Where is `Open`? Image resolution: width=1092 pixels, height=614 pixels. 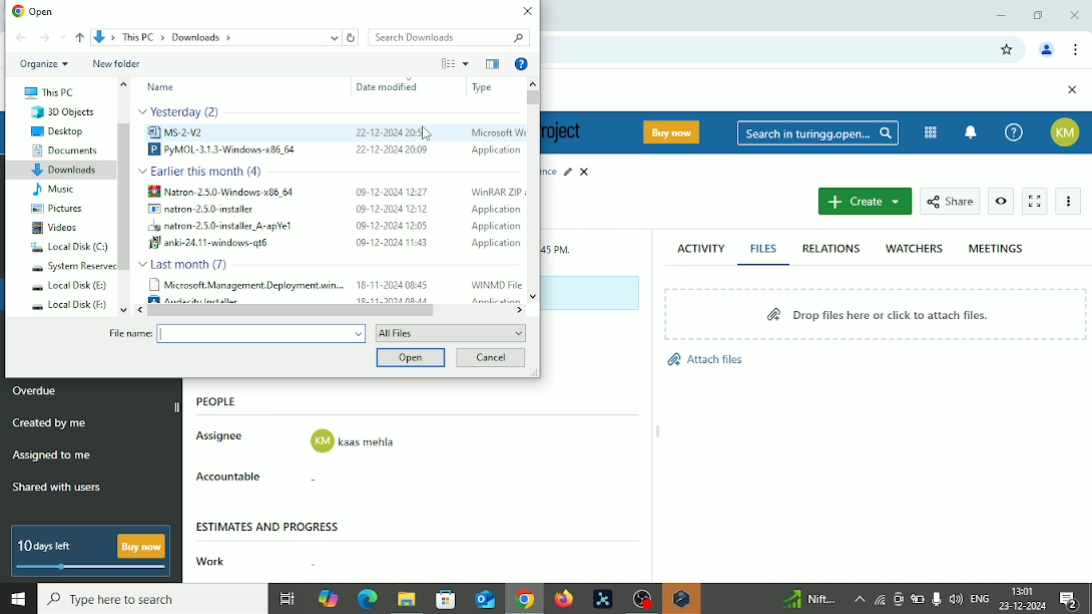 Open is located at coordinates (33, 11).